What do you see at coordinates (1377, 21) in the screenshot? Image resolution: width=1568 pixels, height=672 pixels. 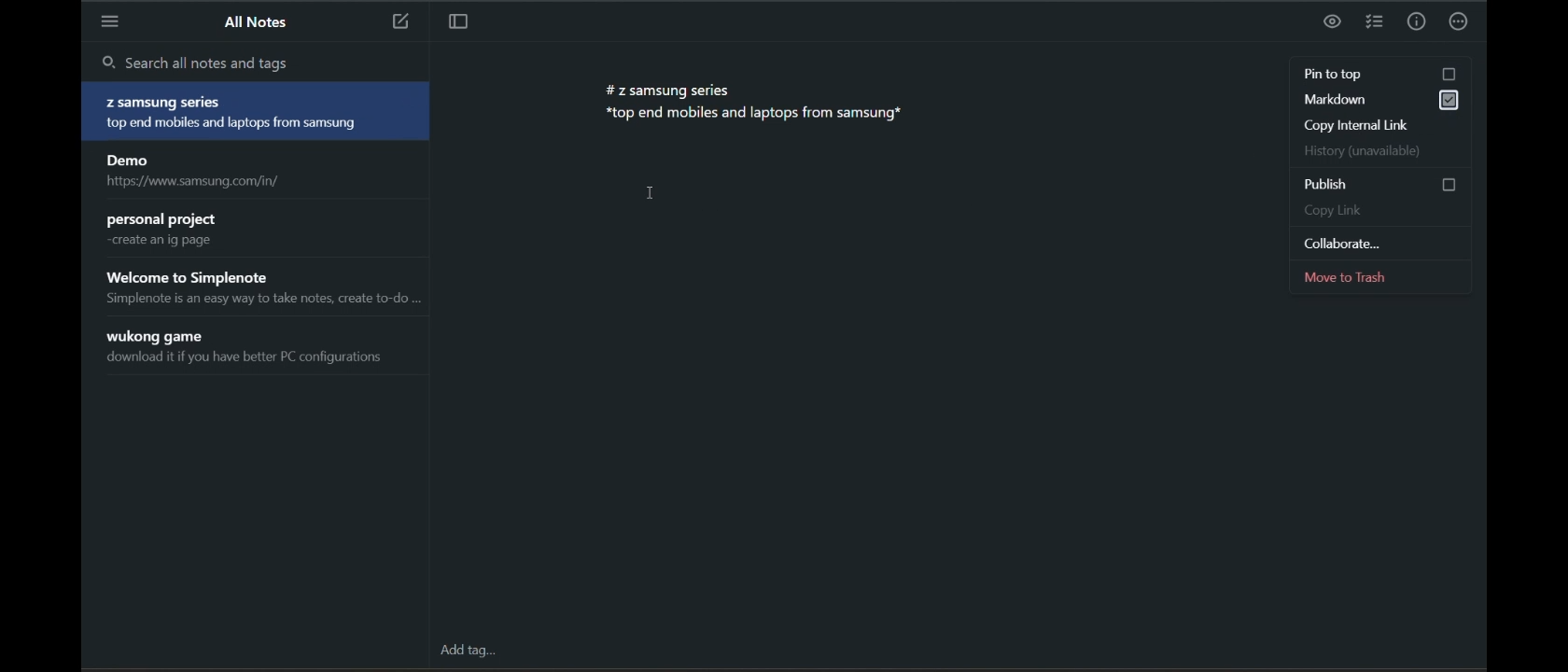 I see `insert checklist` at bounding box center [1377, 21].